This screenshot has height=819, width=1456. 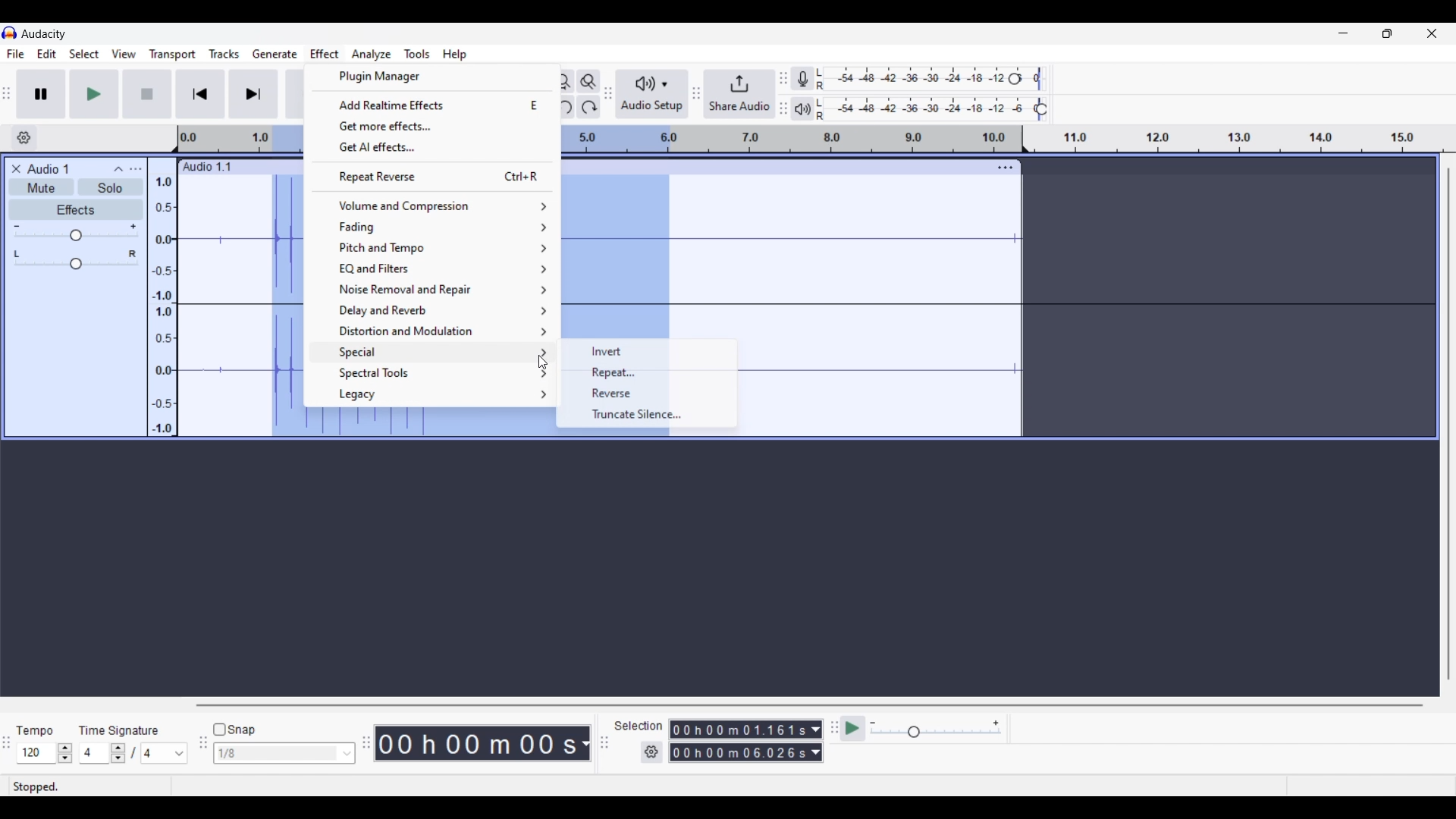 What do you see at coordinates (76, 209) in the screenshot?
I see `Effects` at bounding box center [76, 209].